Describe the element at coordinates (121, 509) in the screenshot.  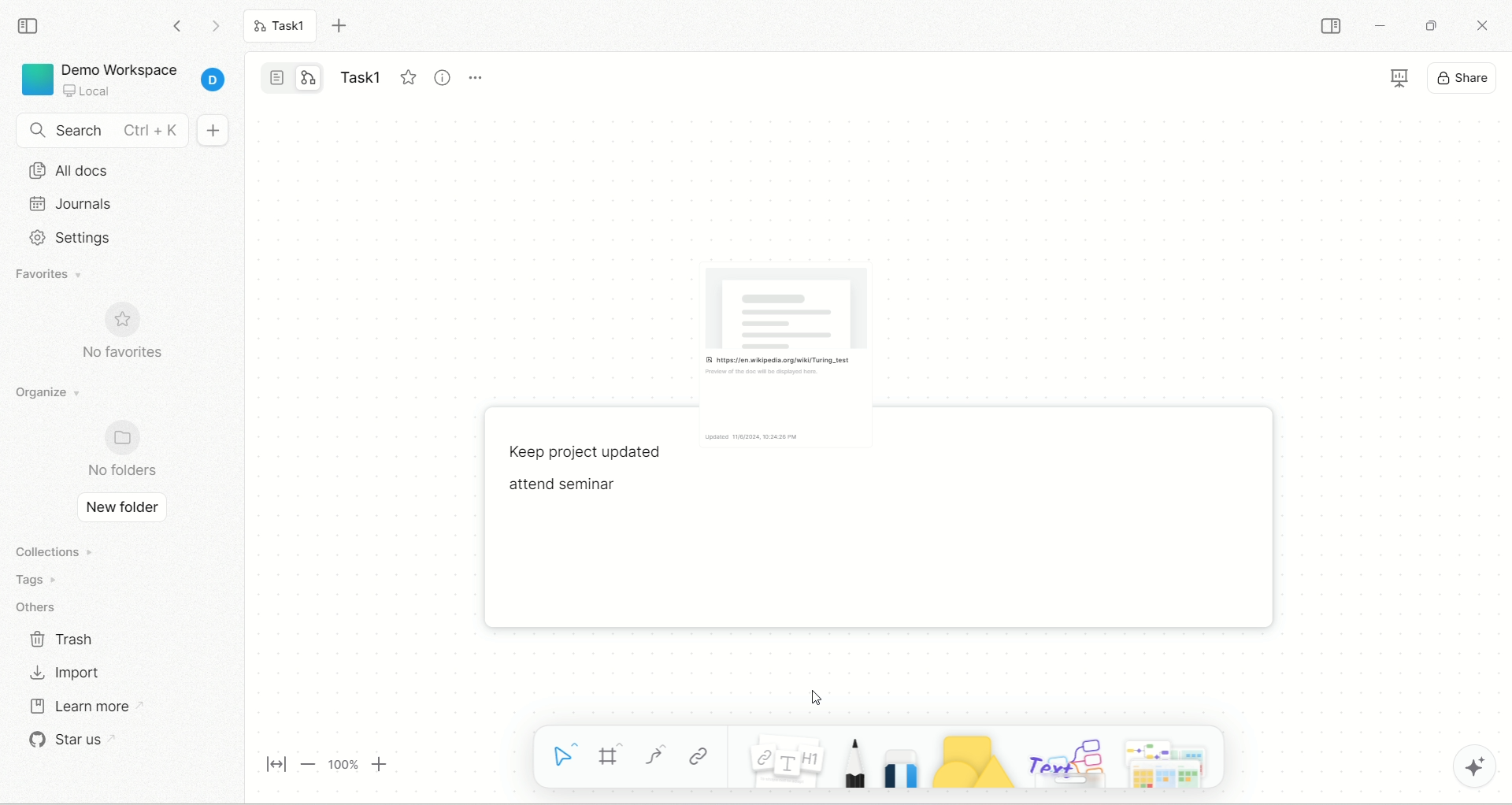
I see `new folder` at that location.